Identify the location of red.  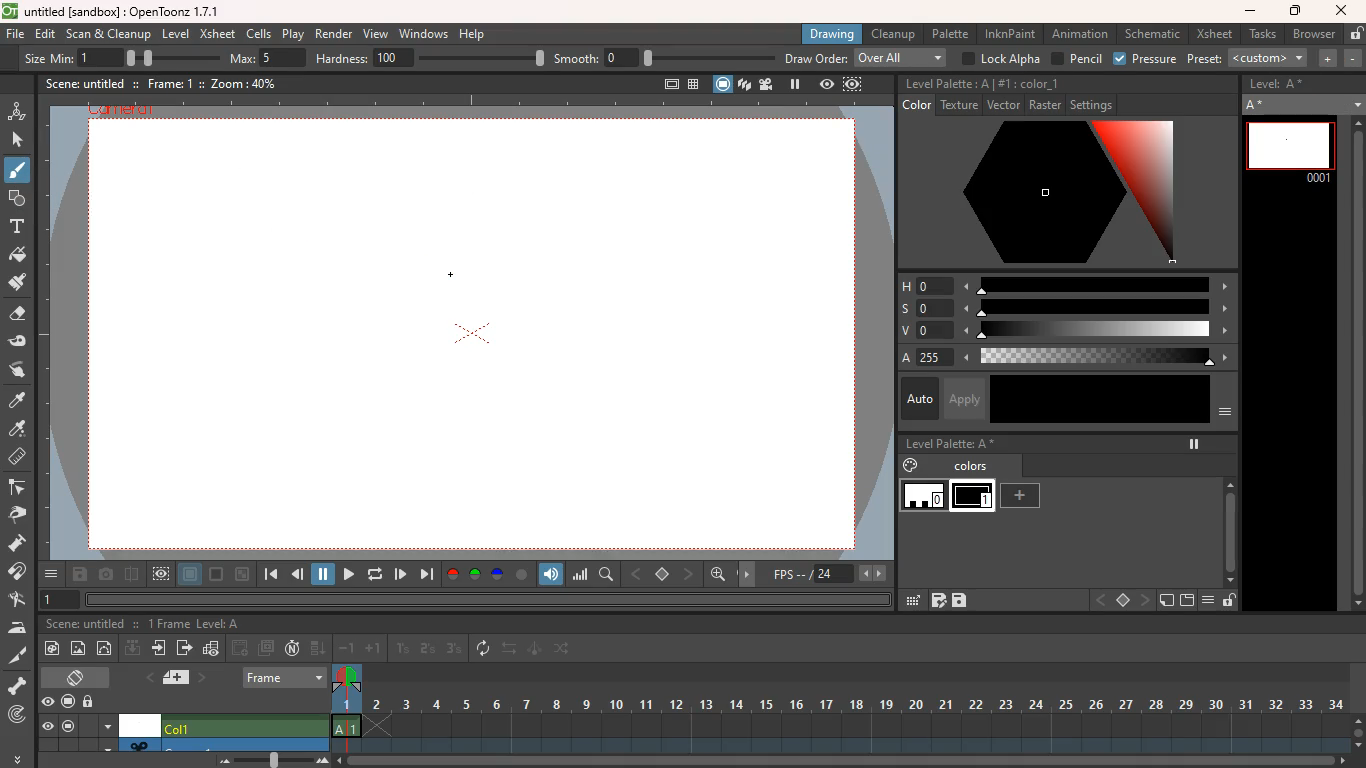
(452, 574).